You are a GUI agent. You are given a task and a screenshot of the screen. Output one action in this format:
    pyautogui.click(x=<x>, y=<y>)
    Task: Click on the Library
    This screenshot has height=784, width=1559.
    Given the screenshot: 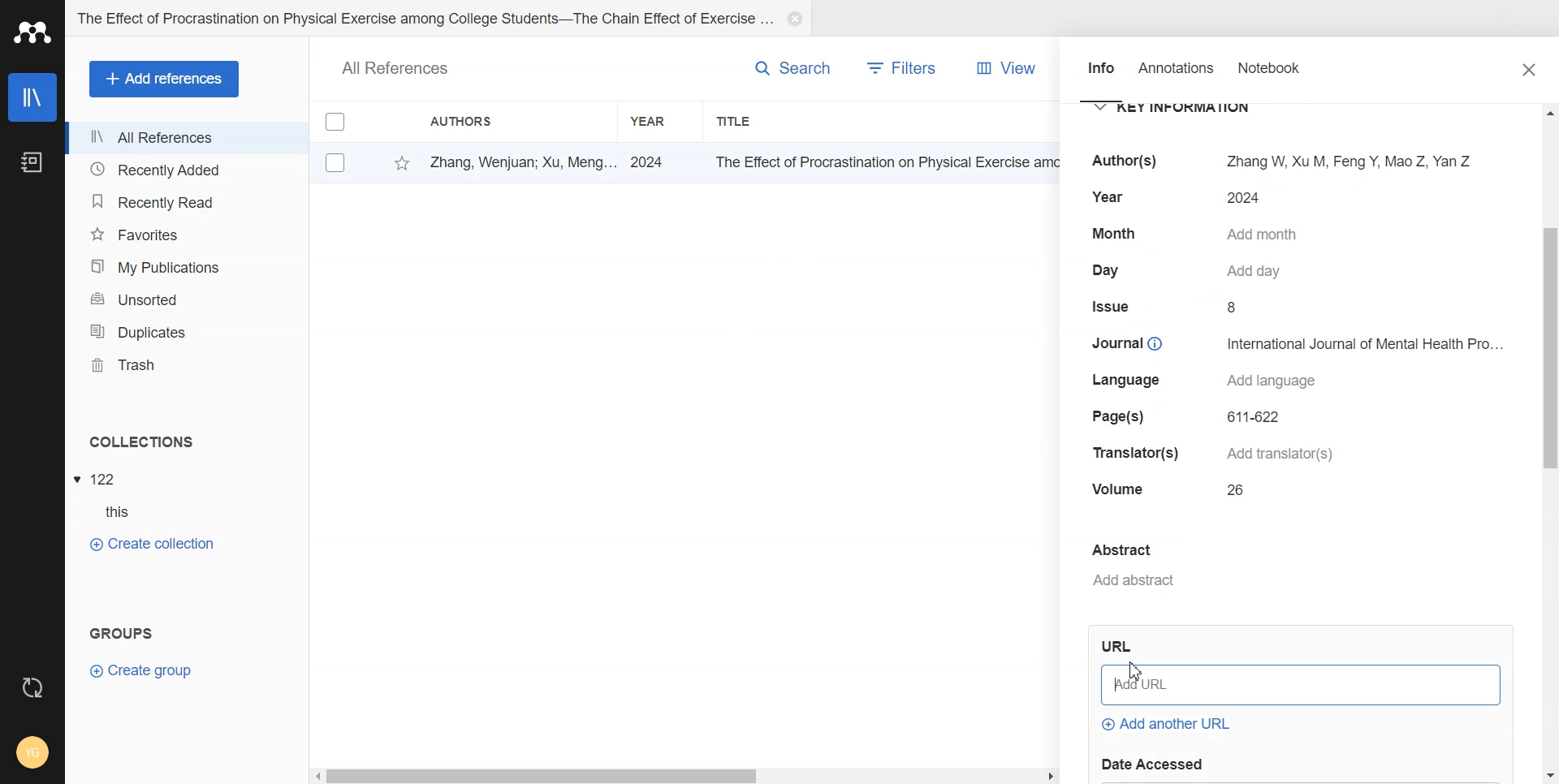 What is the action you would take?
    pyautogui.click(x=32, y=97)
    